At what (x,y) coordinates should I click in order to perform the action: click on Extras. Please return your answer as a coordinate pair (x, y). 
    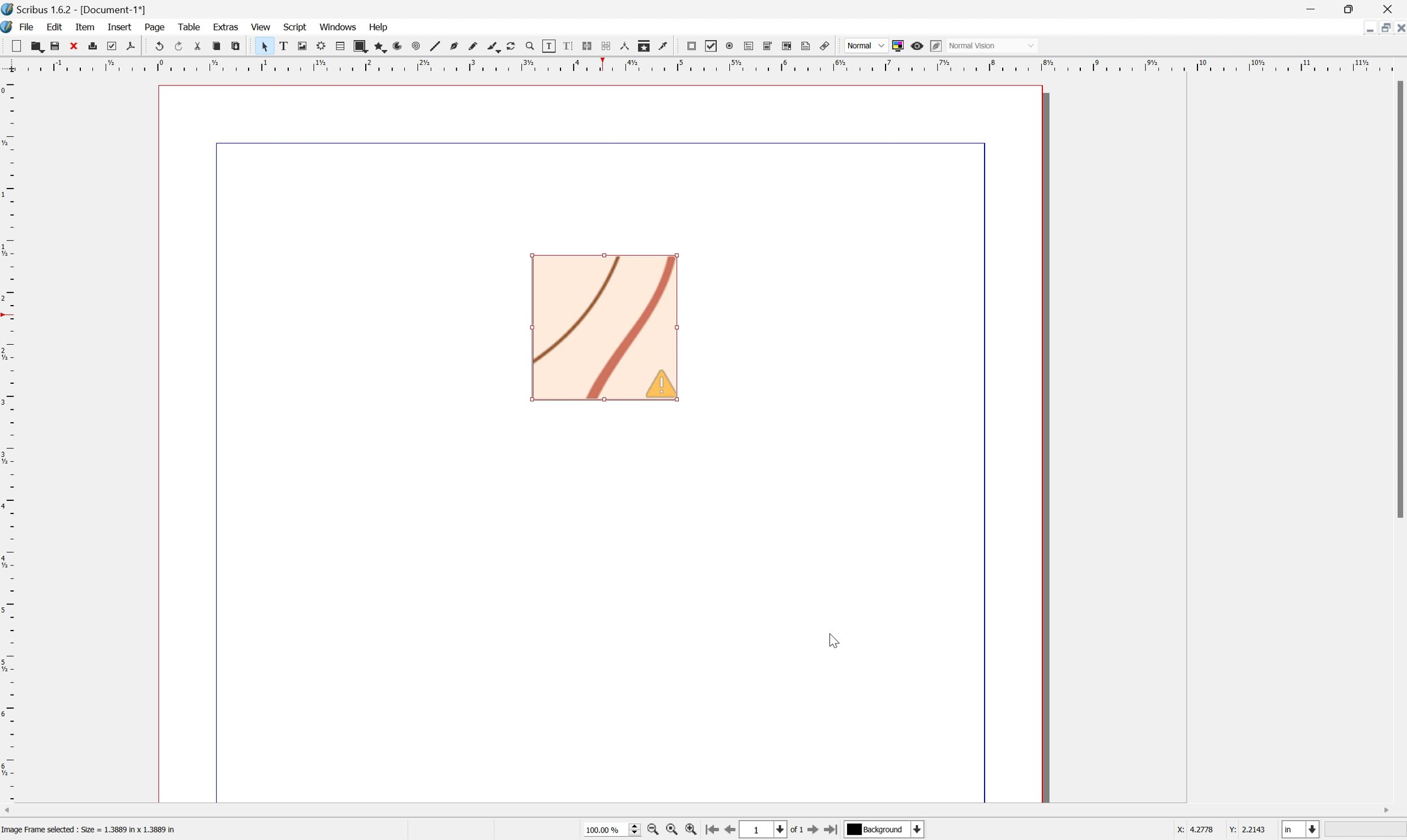
    Looking at the image, I should click on (226, 29).